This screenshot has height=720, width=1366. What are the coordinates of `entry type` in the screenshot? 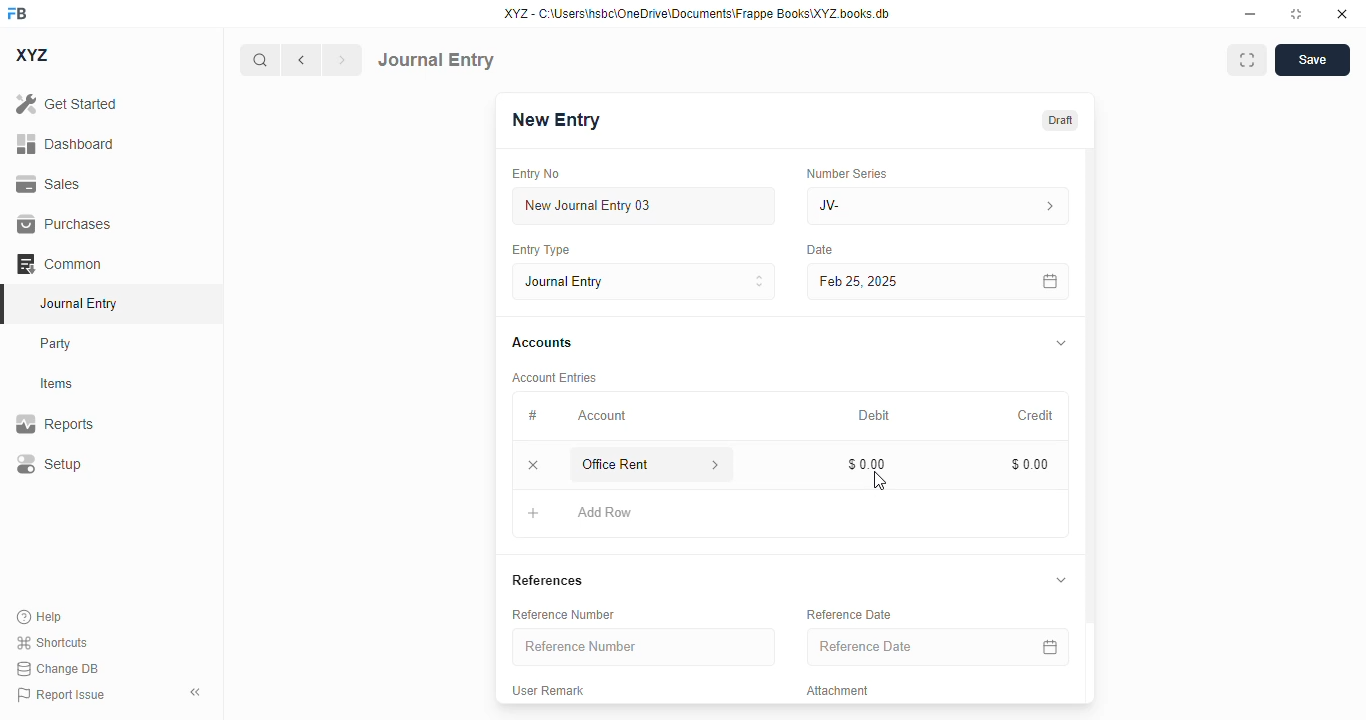 It's located at (643, 281).